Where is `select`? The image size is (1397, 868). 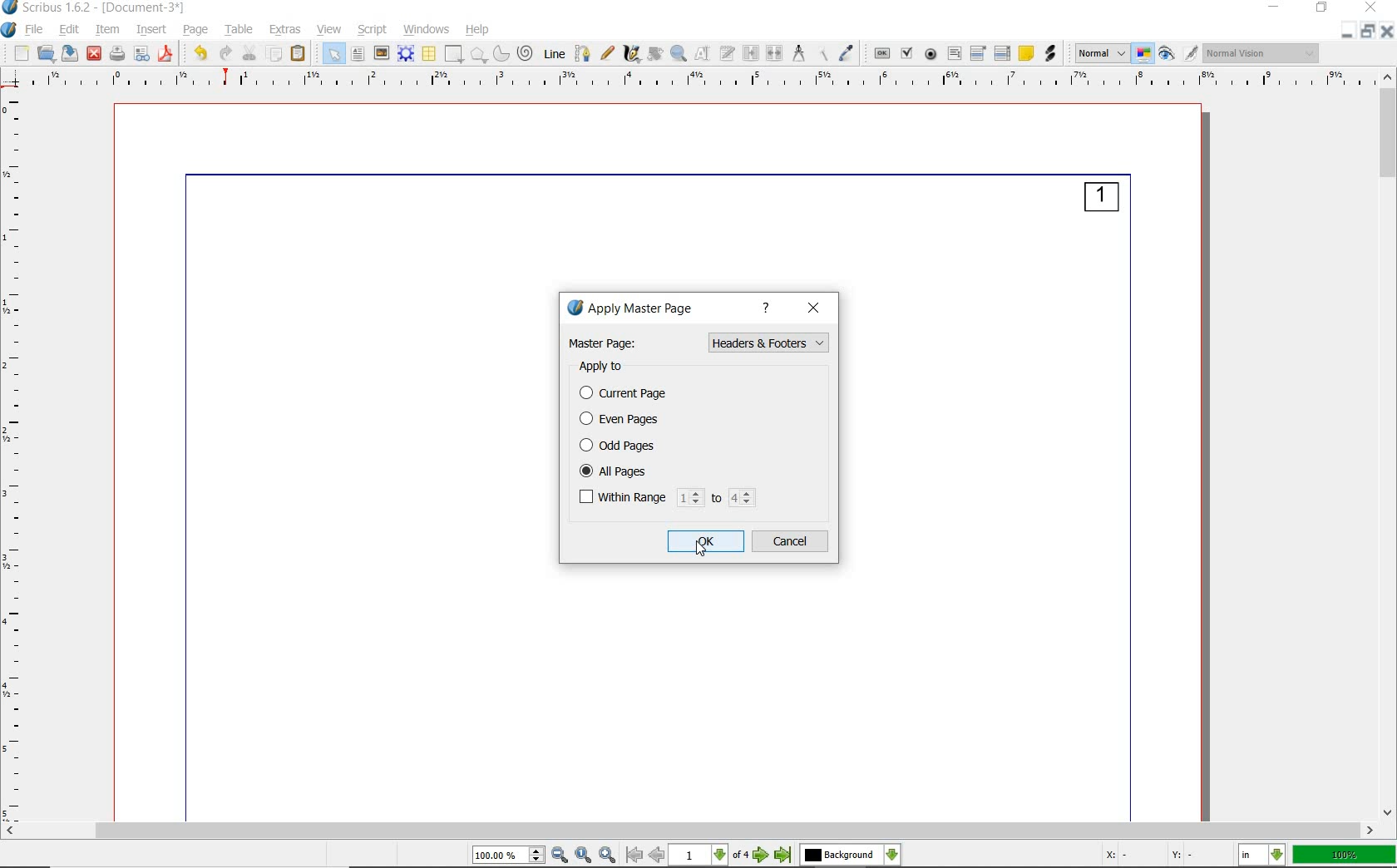
select is located at coordinates (336, 53).